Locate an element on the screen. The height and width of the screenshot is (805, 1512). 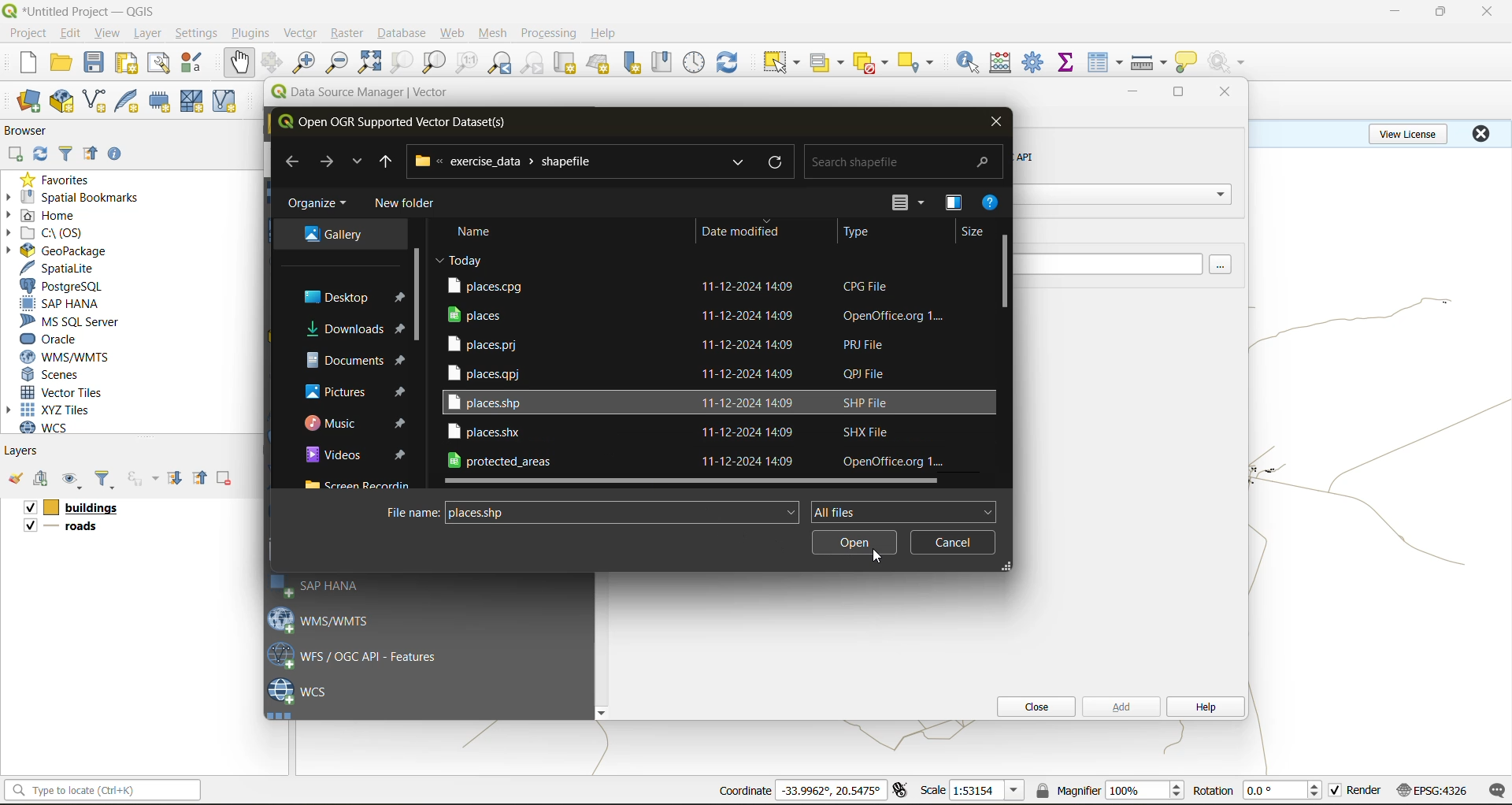
help is located at coordinates (1204, 708).